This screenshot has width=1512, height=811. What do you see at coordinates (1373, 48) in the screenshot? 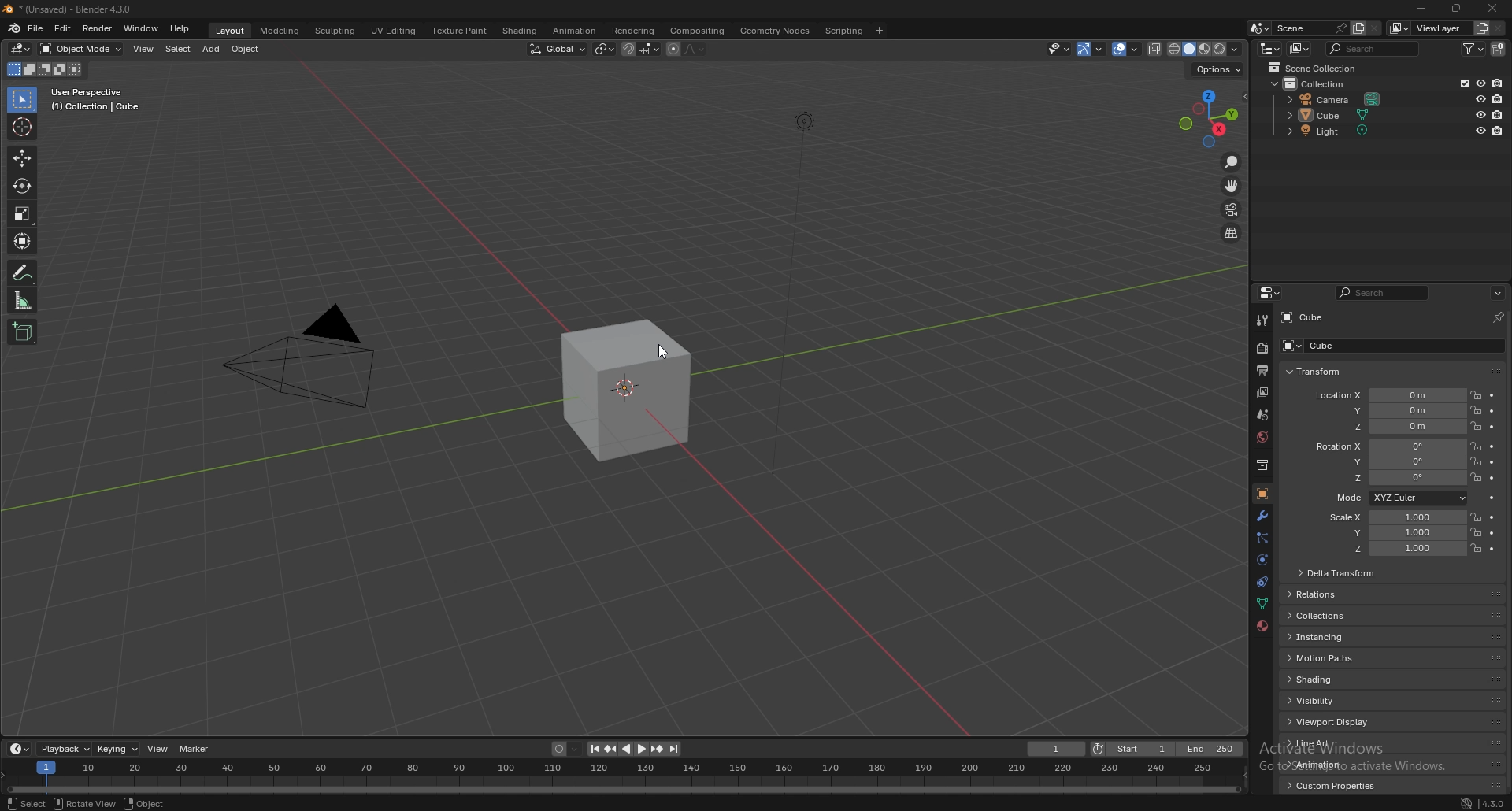
I see `search` at bounding box center [1373, 48].